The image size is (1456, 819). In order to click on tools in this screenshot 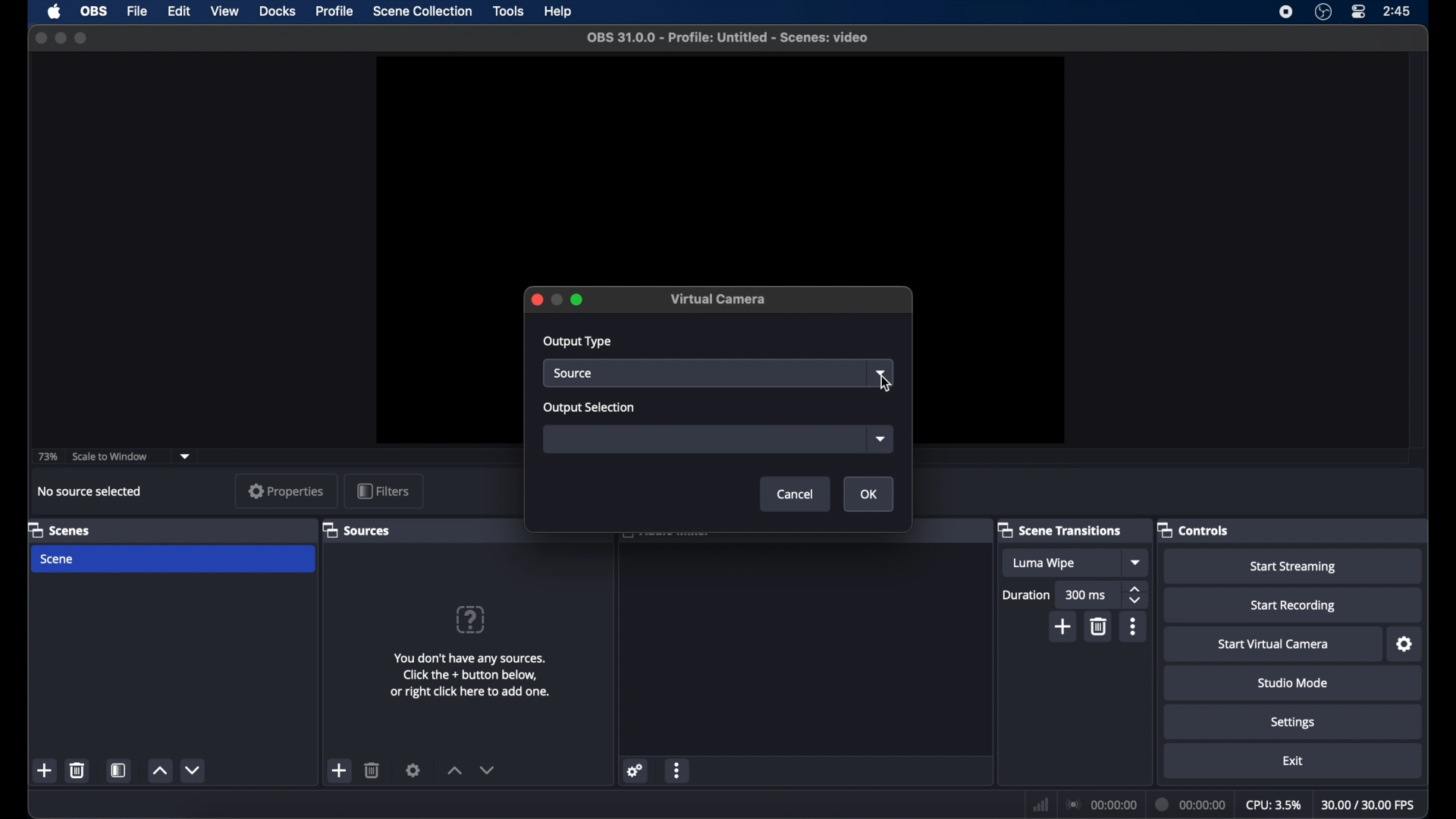, I will do `click(510, 11)`.